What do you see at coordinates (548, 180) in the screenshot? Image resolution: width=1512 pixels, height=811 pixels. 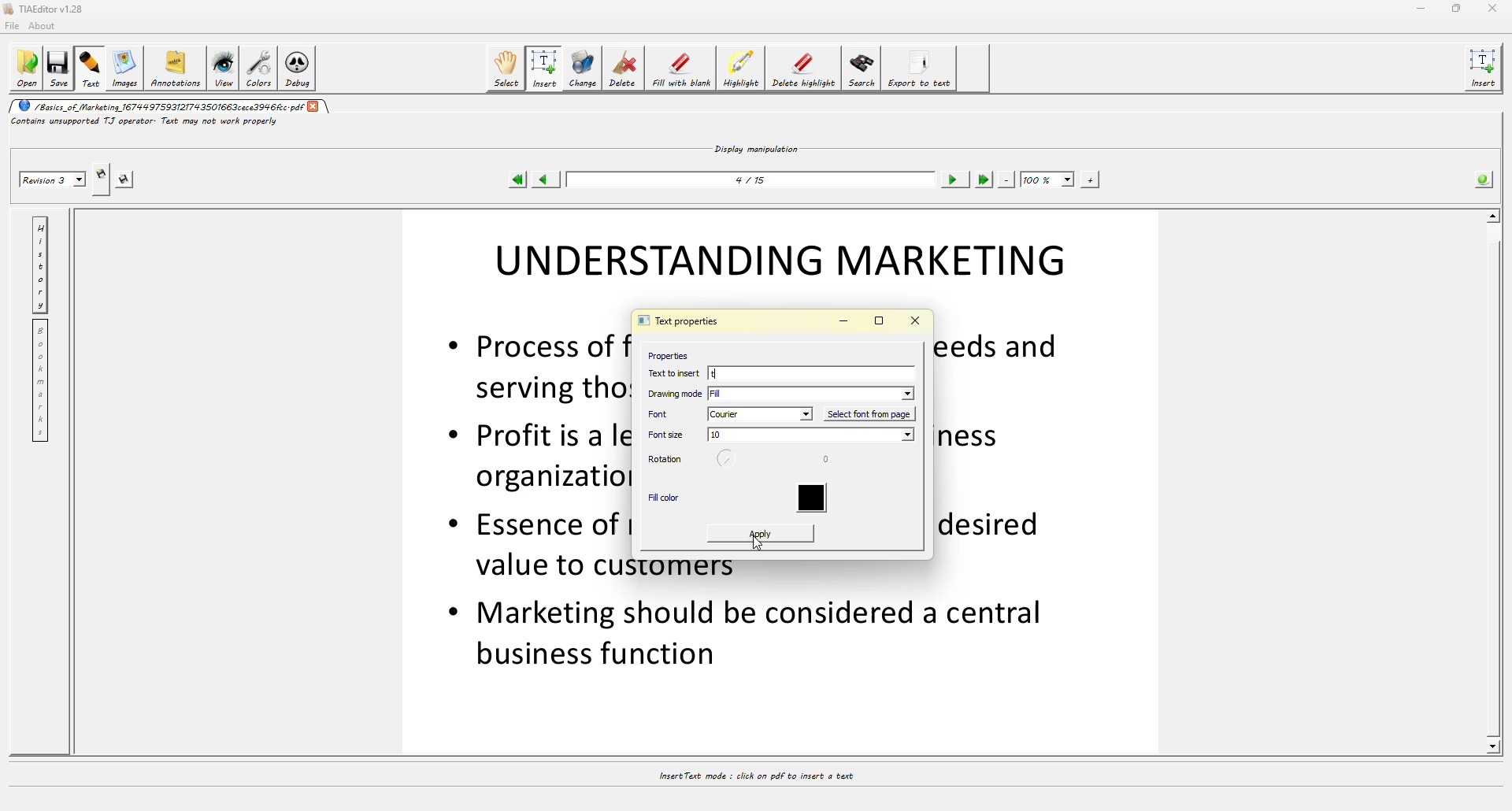 I see `previous page` at bounding box center [548, 180].